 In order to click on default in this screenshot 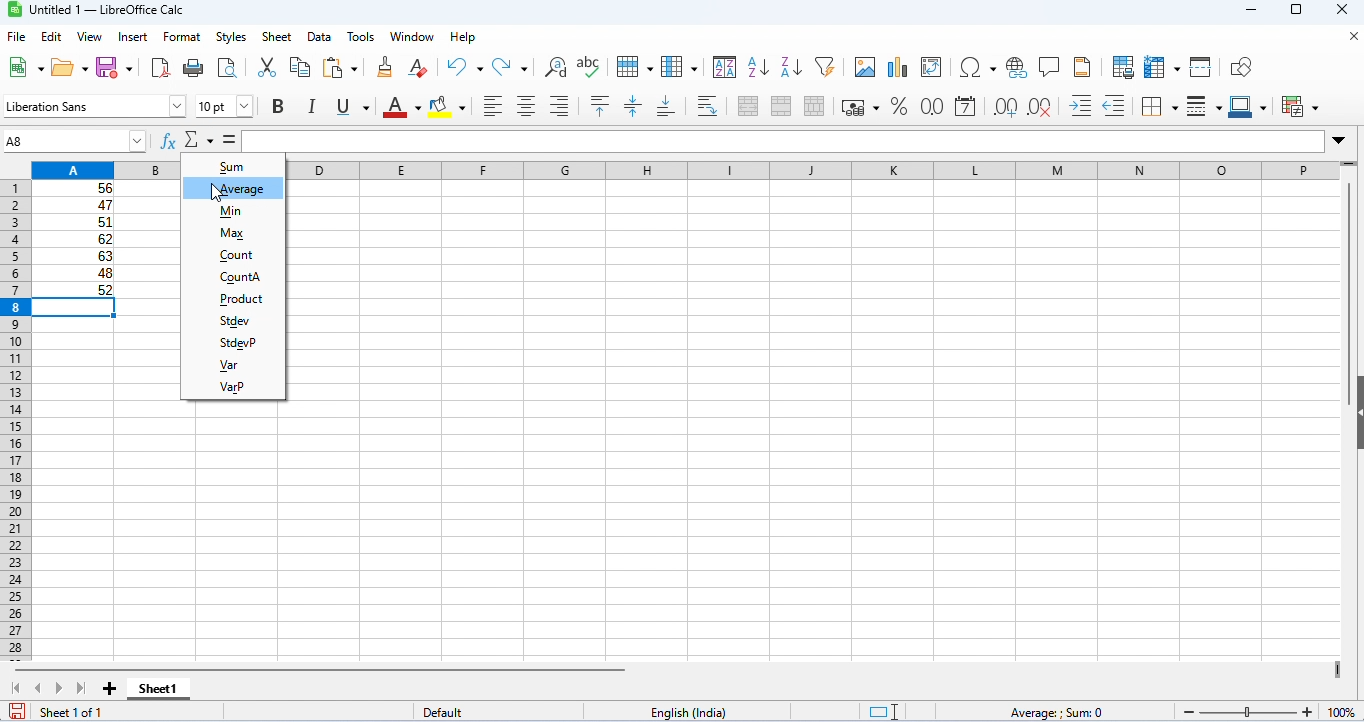, I will do `click(448, 713)`.